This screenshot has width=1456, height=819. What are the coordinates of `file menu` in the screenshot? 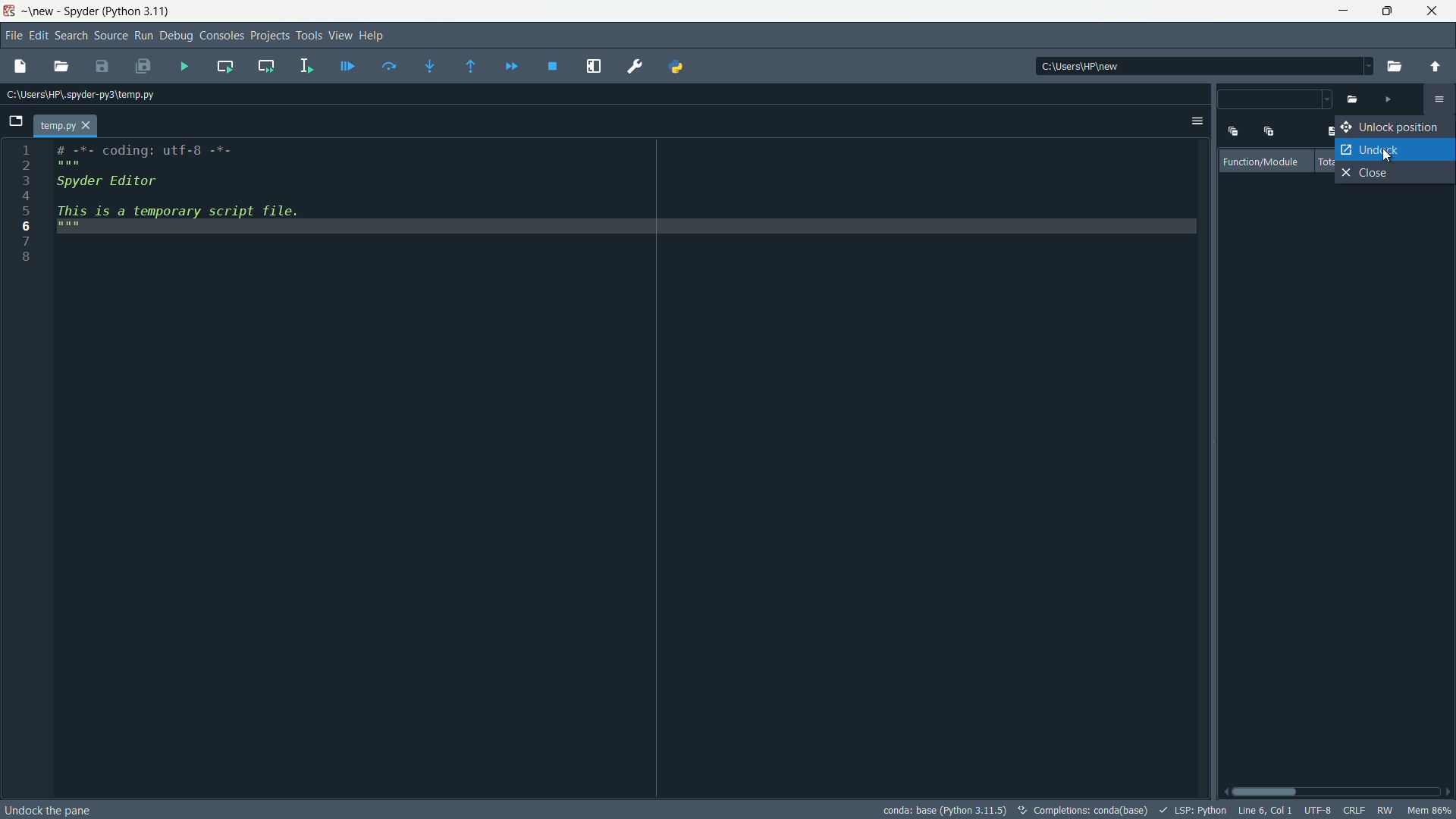 It's located at (11, 37).